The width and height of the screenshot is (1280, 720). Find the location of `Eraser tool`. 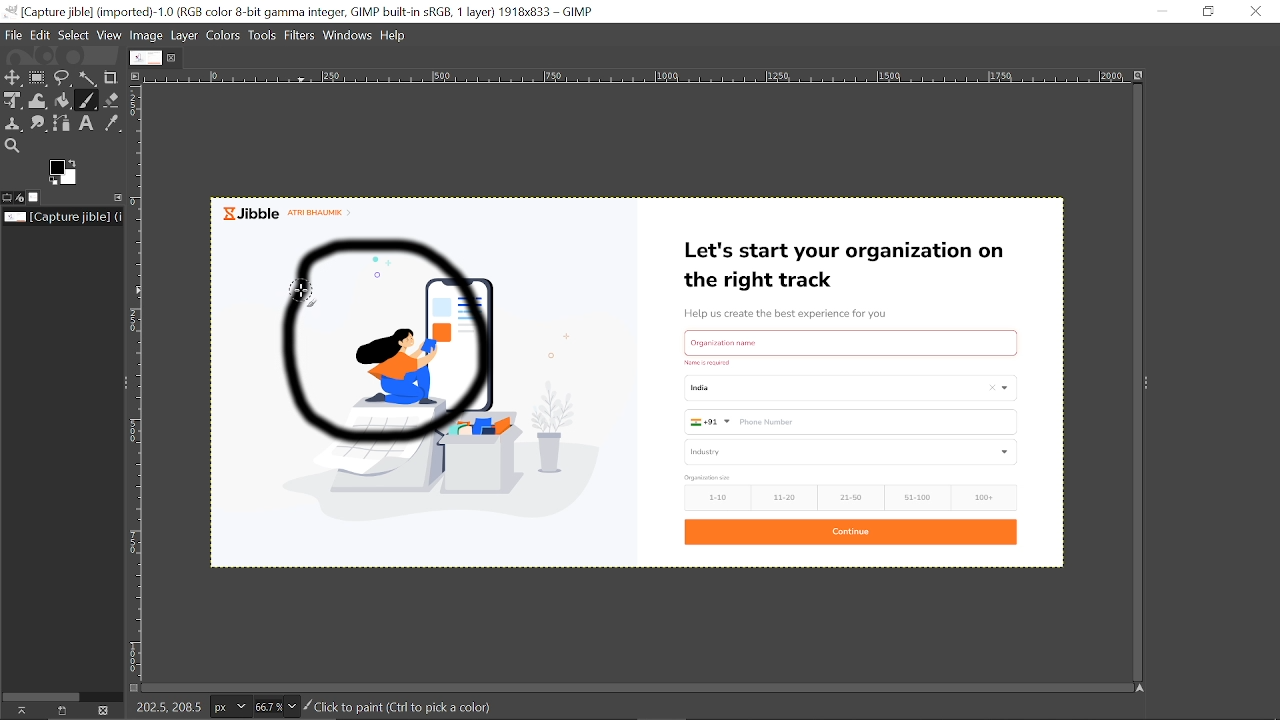

Eraser tool is located at coordinates (112, 100).